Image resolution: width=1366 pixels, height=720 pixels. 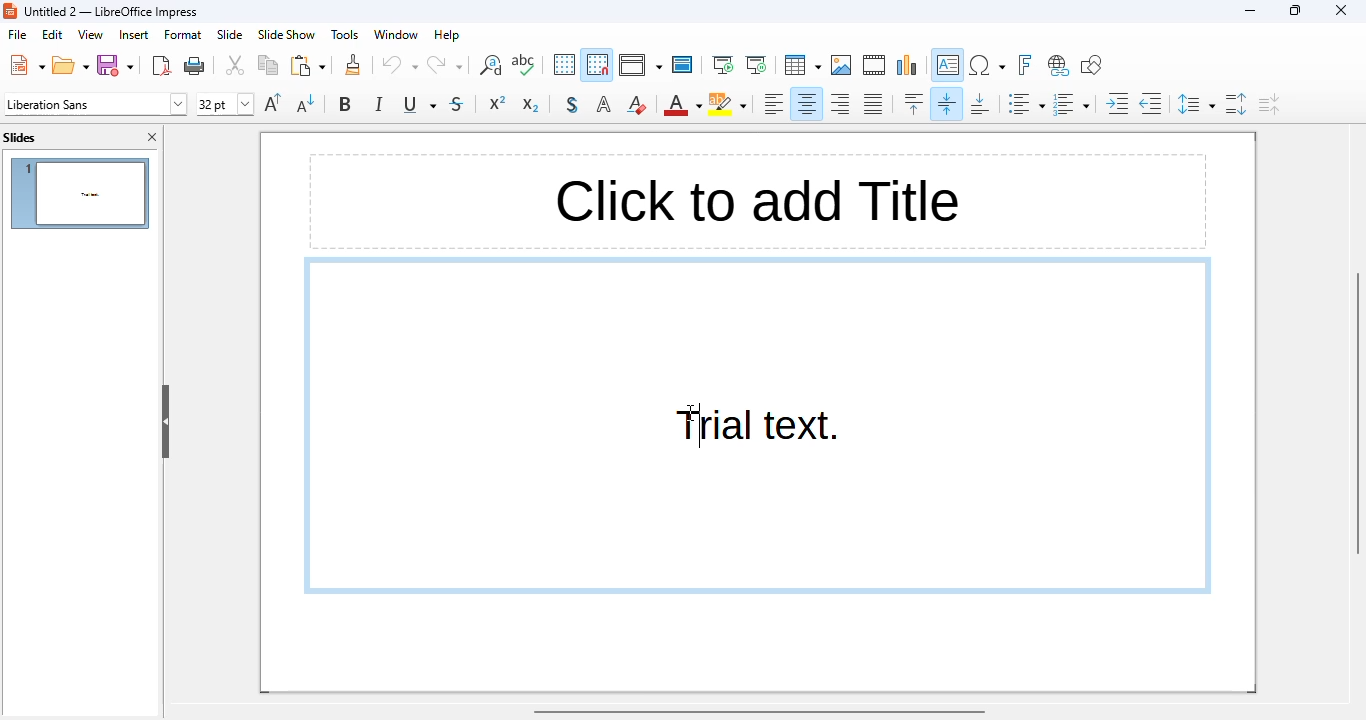 What do you see at coordinates (987, 65) in the screenshot?
I see `insert special characters` at bounding box center [987, 65].